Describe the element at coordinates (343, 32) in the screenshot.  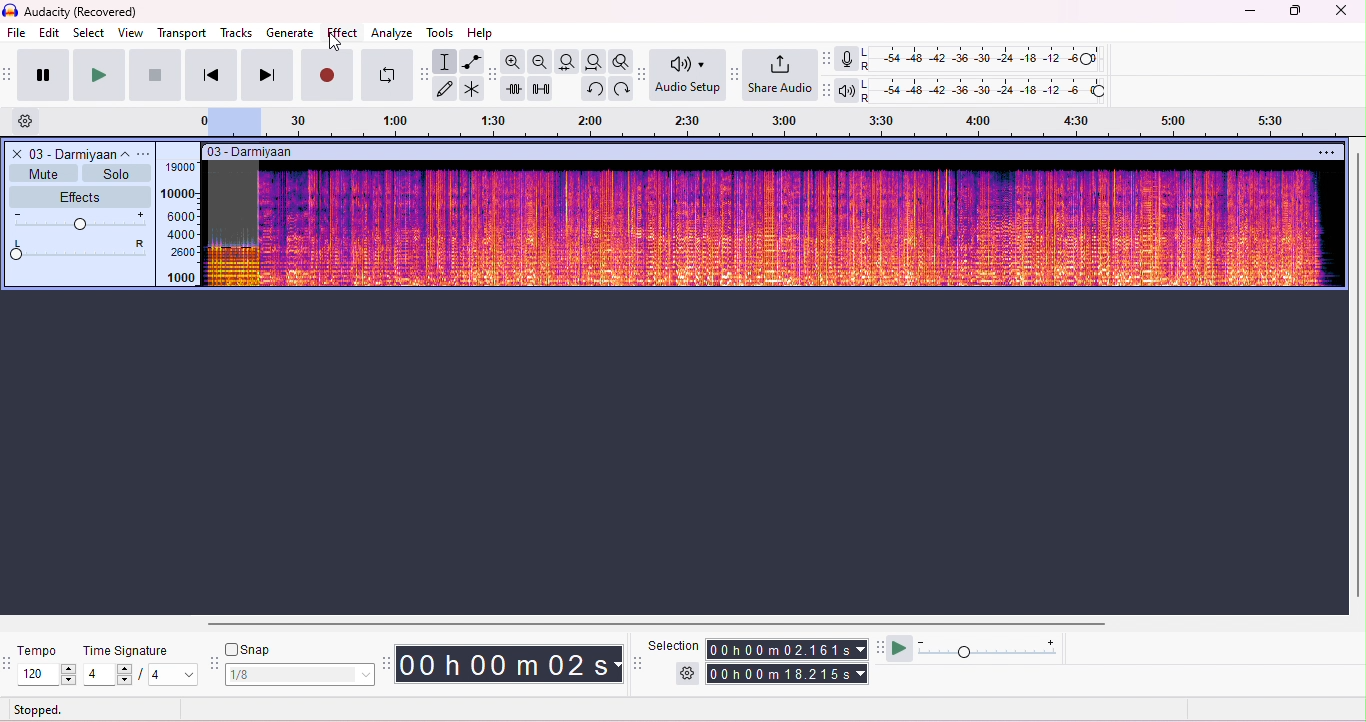
I see `effect` at that location.